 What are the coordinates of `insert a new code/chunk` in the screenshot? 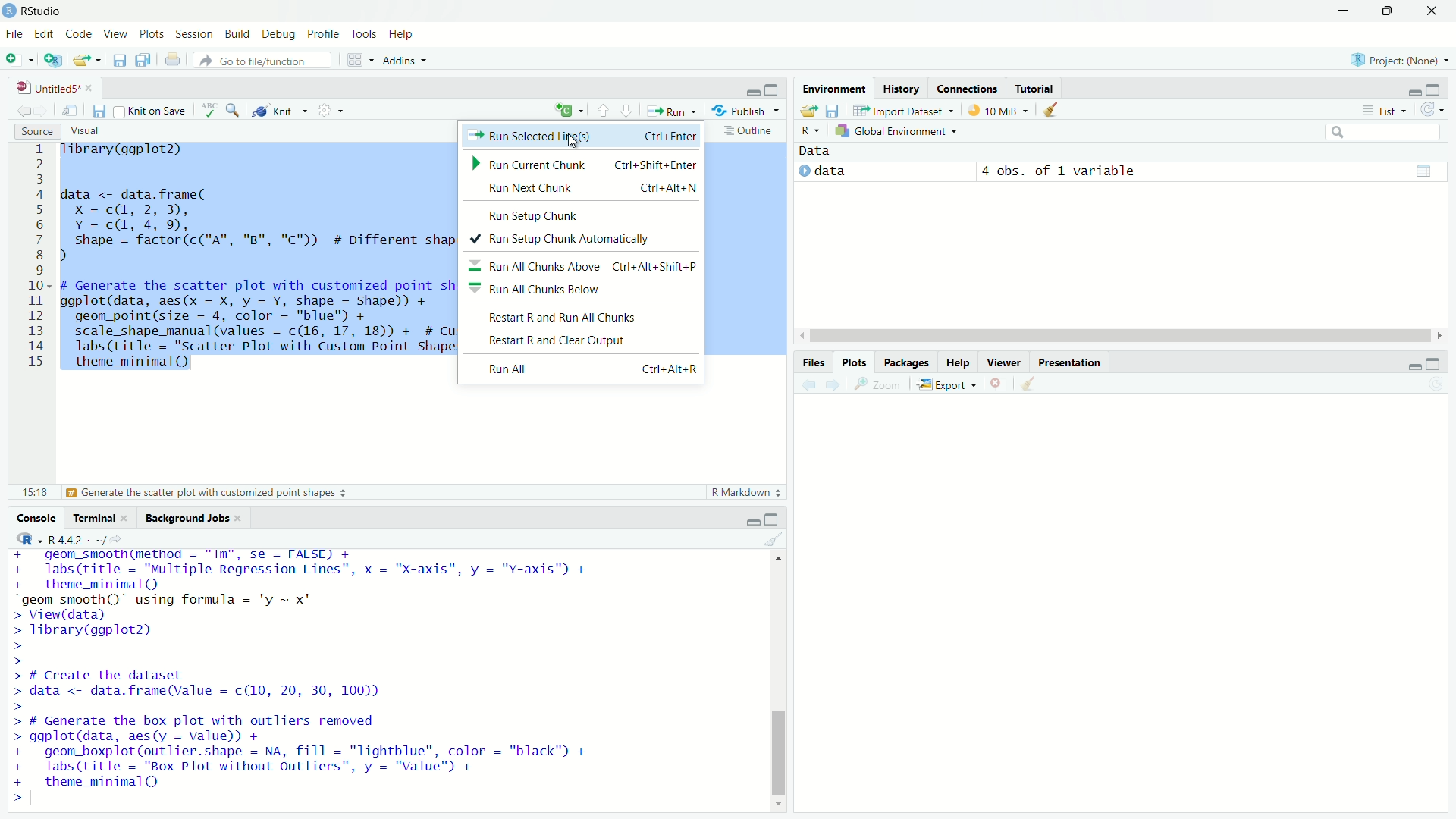 It's located at (570, 109).